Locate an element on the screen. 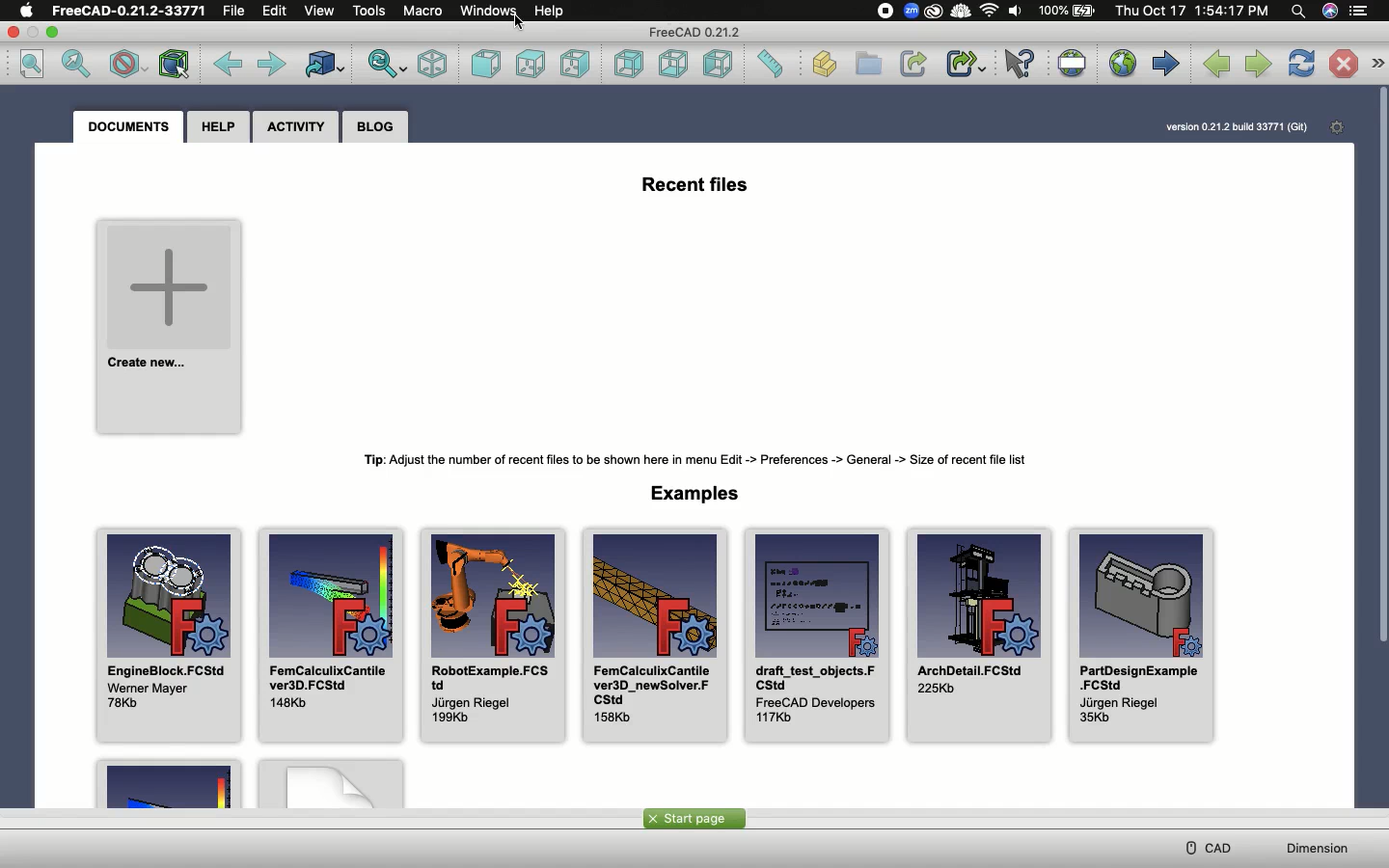  Navigation is located at coordinates (1377, 64).